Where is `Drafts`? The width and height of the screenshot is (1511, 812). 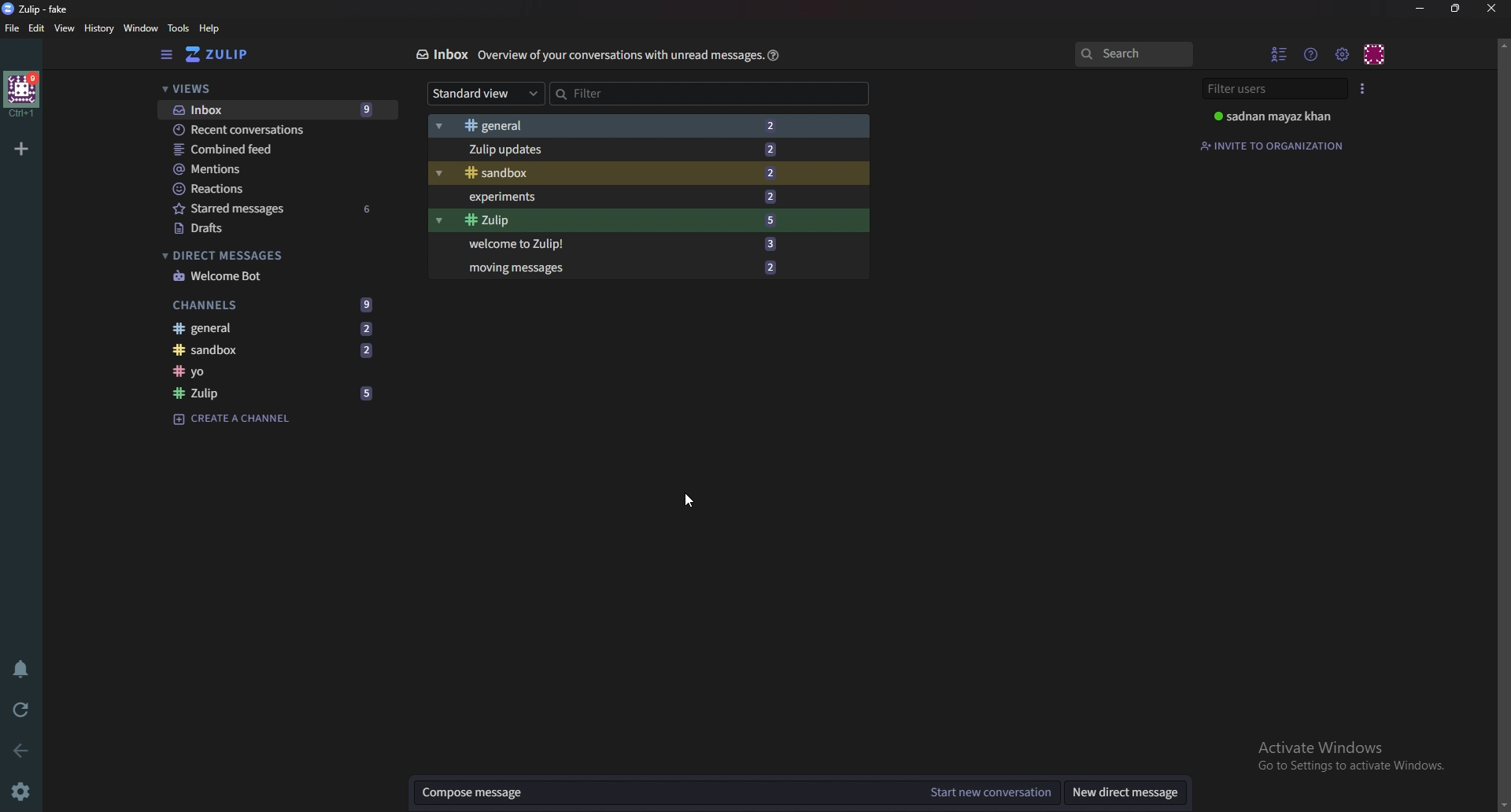 Drafts is located at coordinates (268, 229).